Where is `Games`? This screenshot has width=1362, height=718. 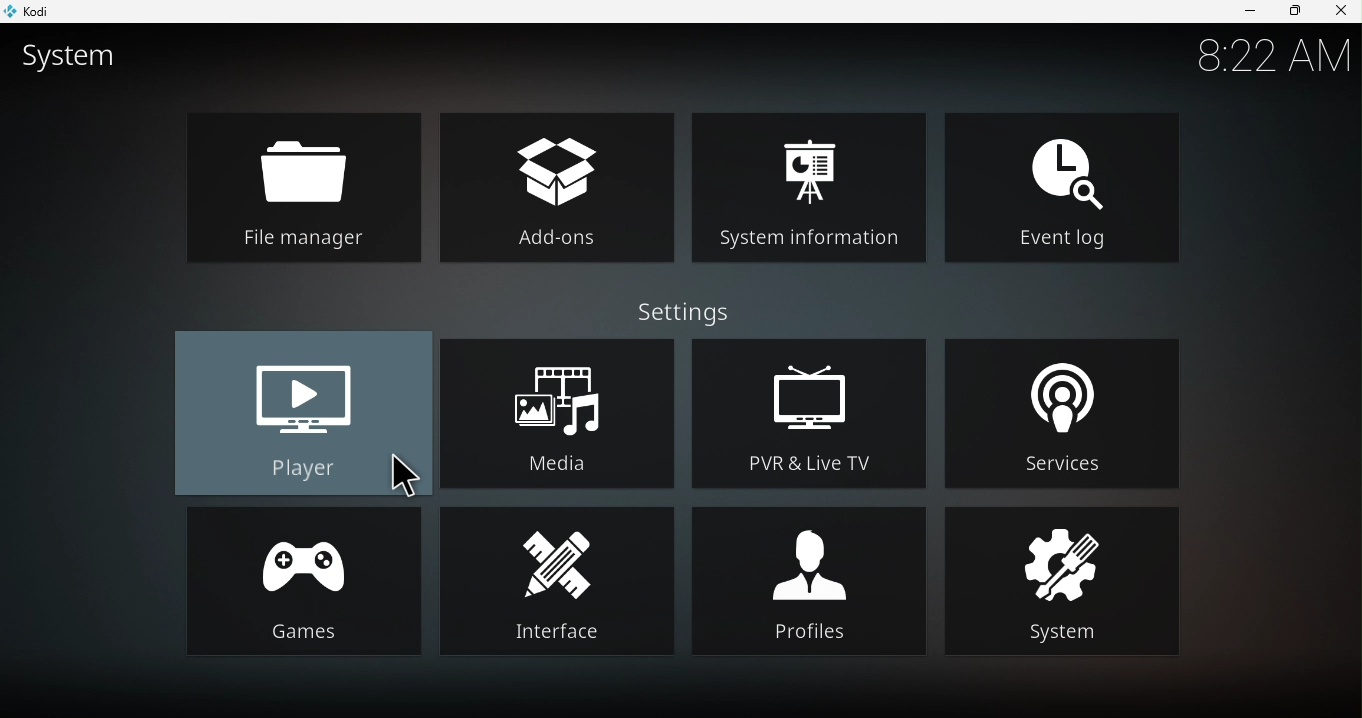 Games is located at coordinates (297, 581).